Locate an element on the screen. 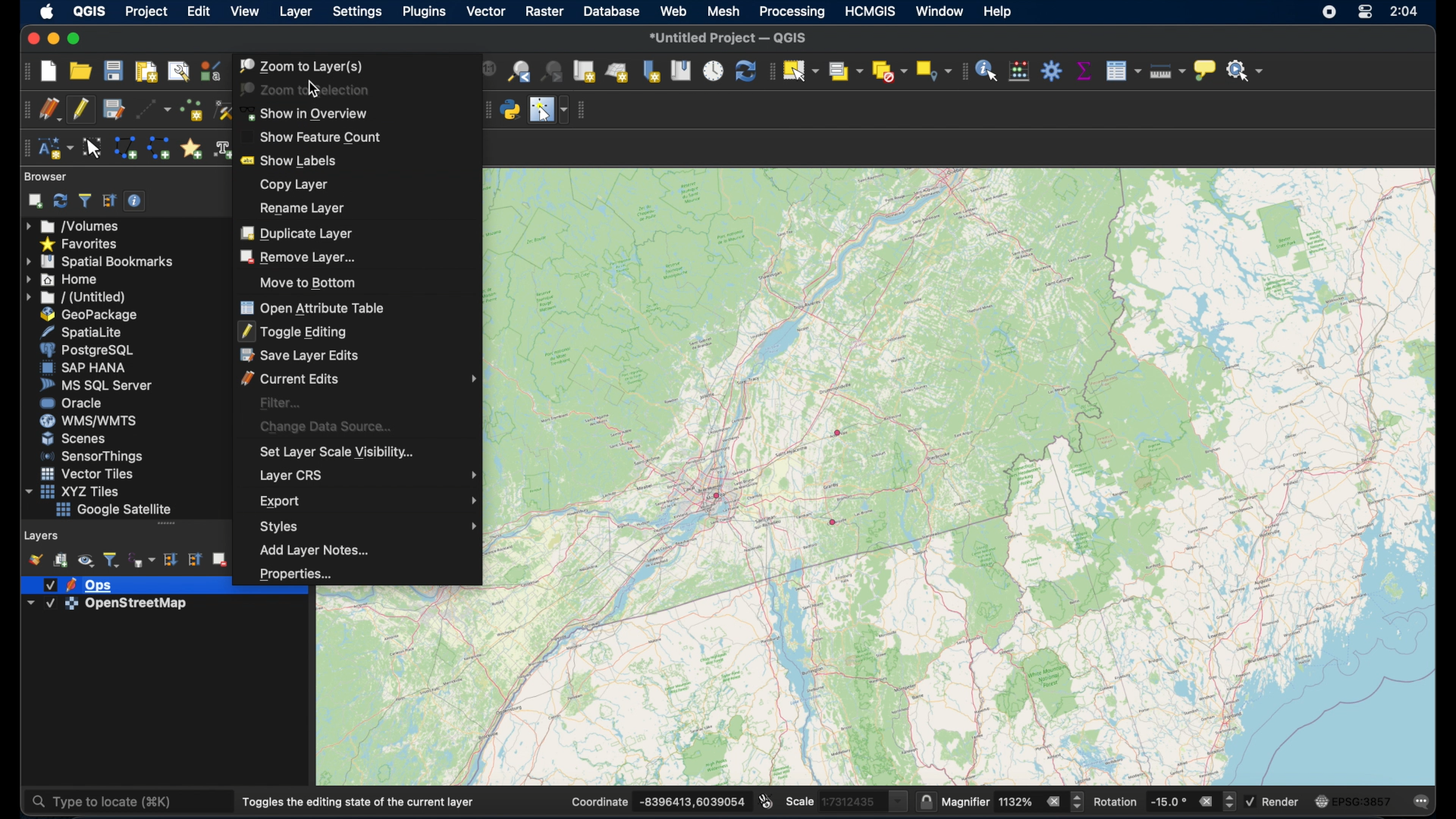 The image size is (1456, 819). edit is located at coordinates (199, 12).